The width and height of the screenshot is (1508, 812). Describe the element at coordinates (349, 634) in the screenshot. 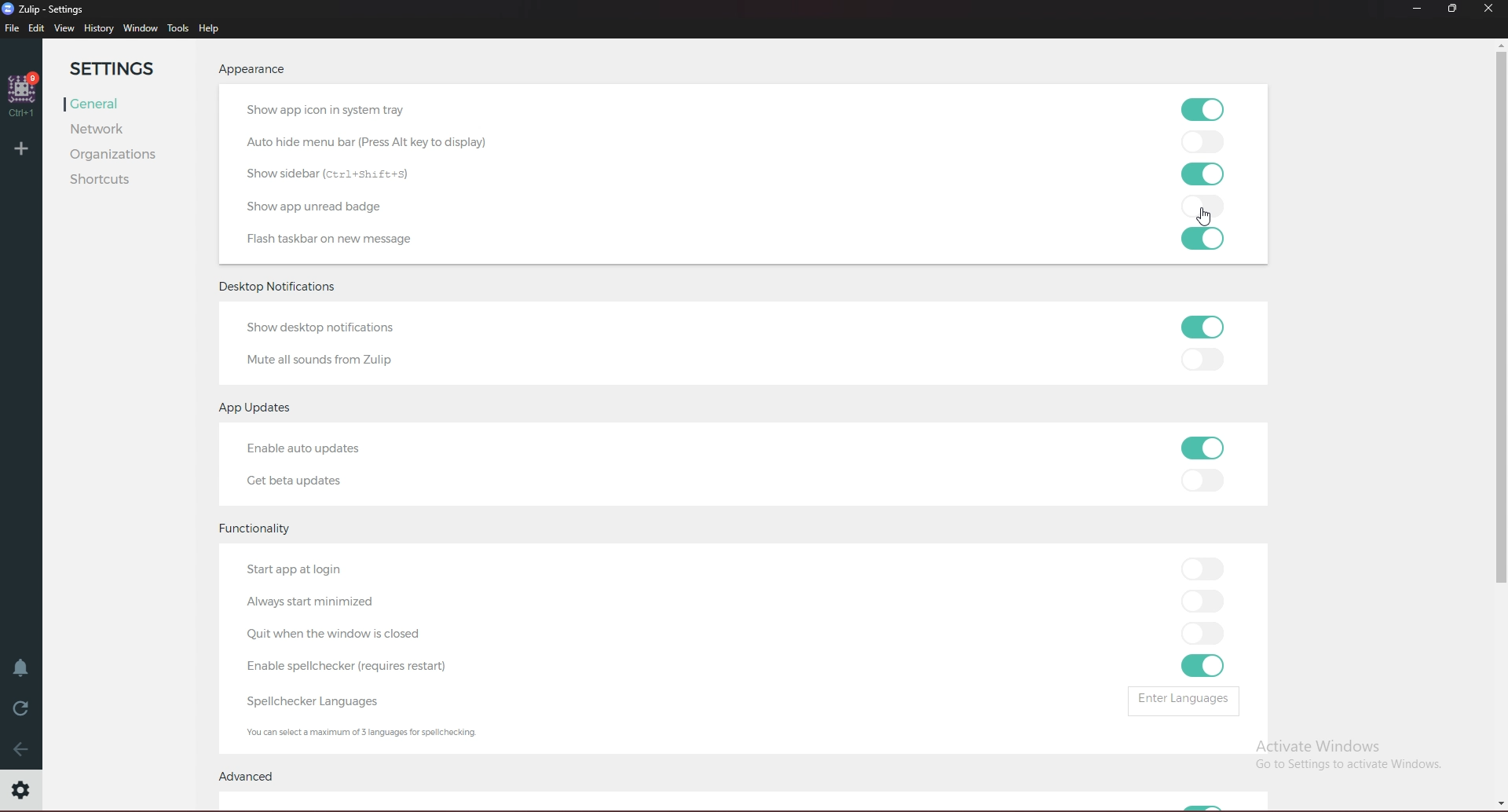

I see `Quit when the window is closed` at that location.